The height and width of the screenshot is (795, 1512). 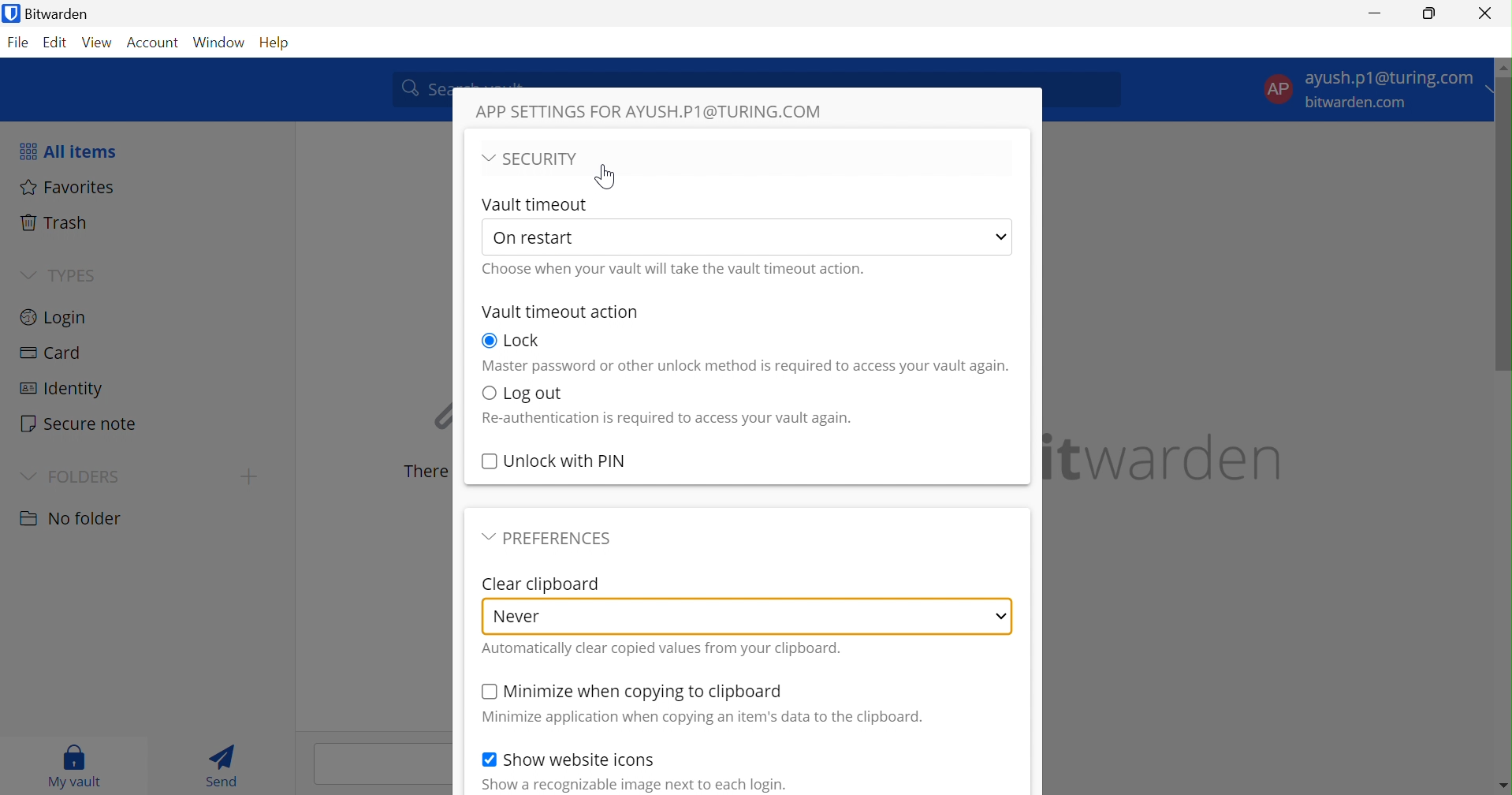 I want to click on Drop Down, so click(x=486, y=157).